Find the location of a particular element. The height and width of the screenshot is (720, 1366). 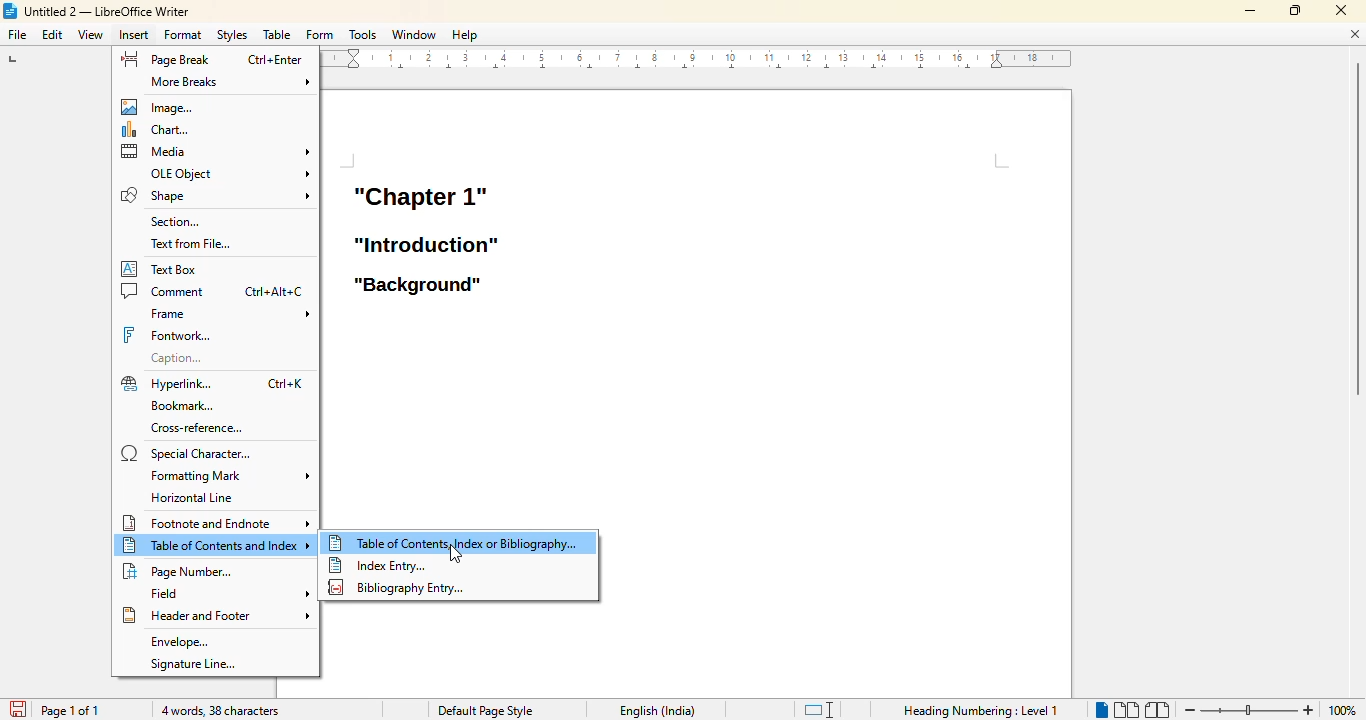

table of contents, index or bibliography is located at coordinates (455, 543).